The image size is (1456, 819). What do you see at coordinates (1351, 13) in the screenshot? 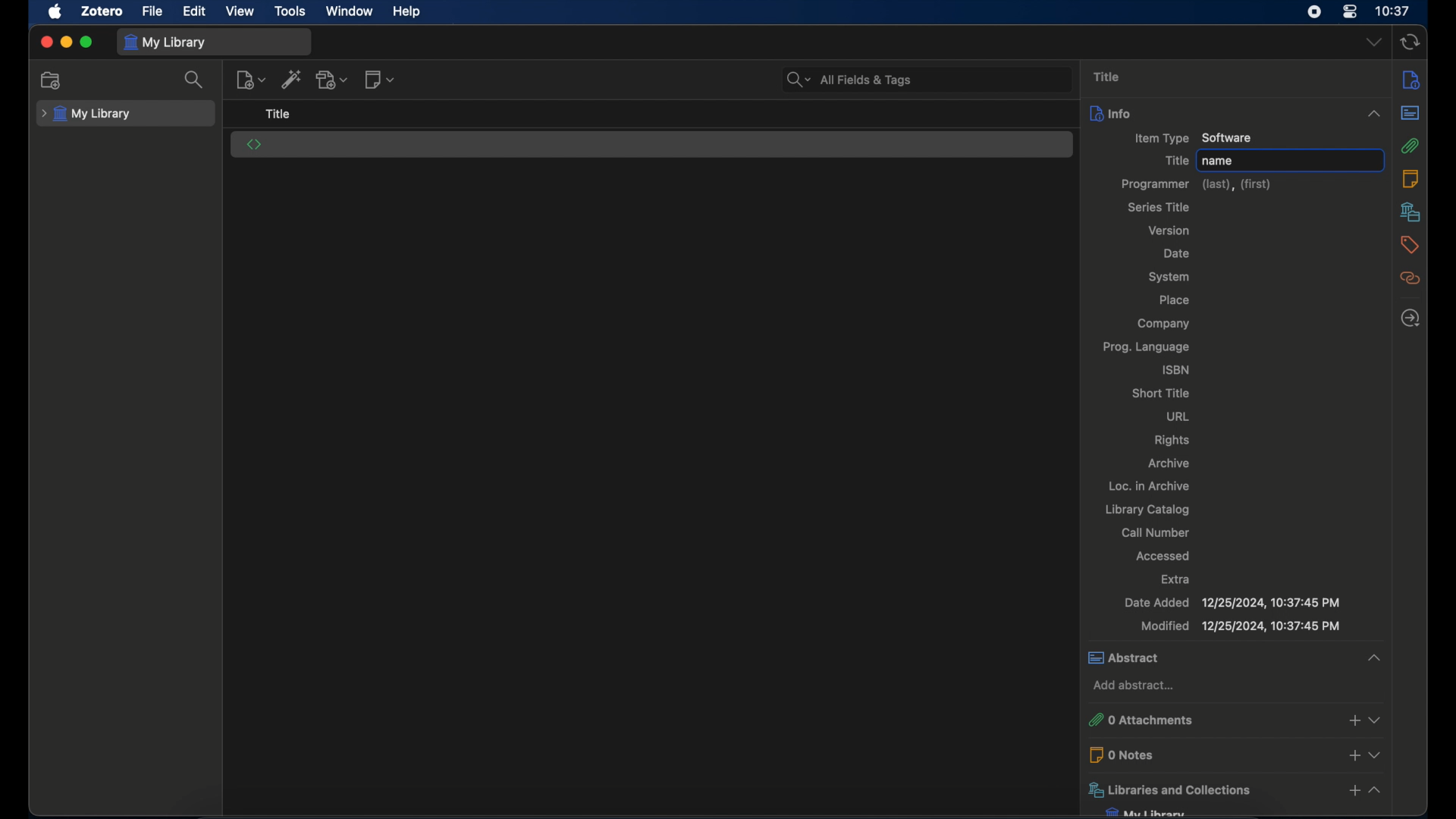
I see `control center` at bounding box center [1351, 13].